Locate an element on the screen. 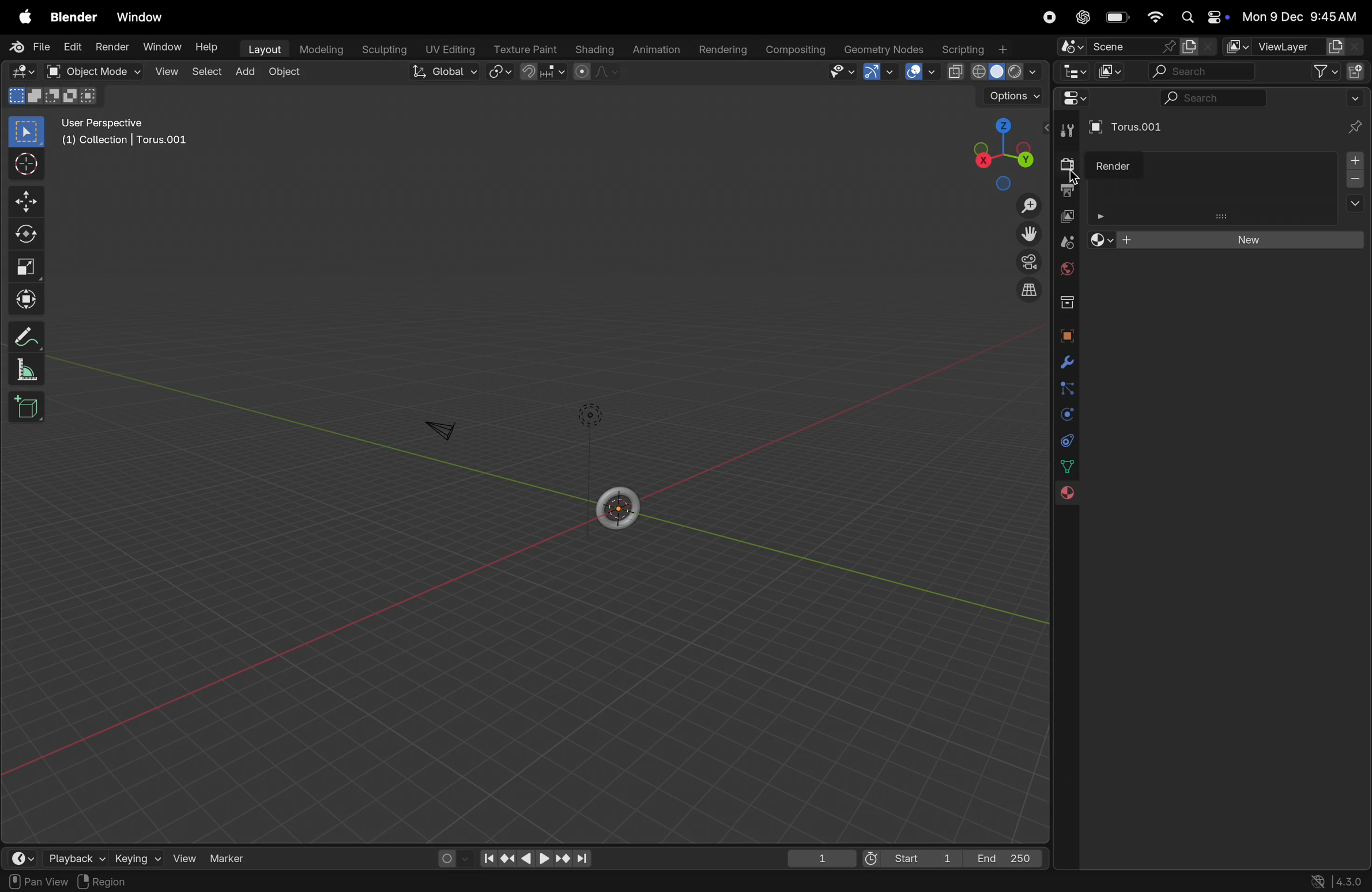  shading is located at coordinates (596, 50).